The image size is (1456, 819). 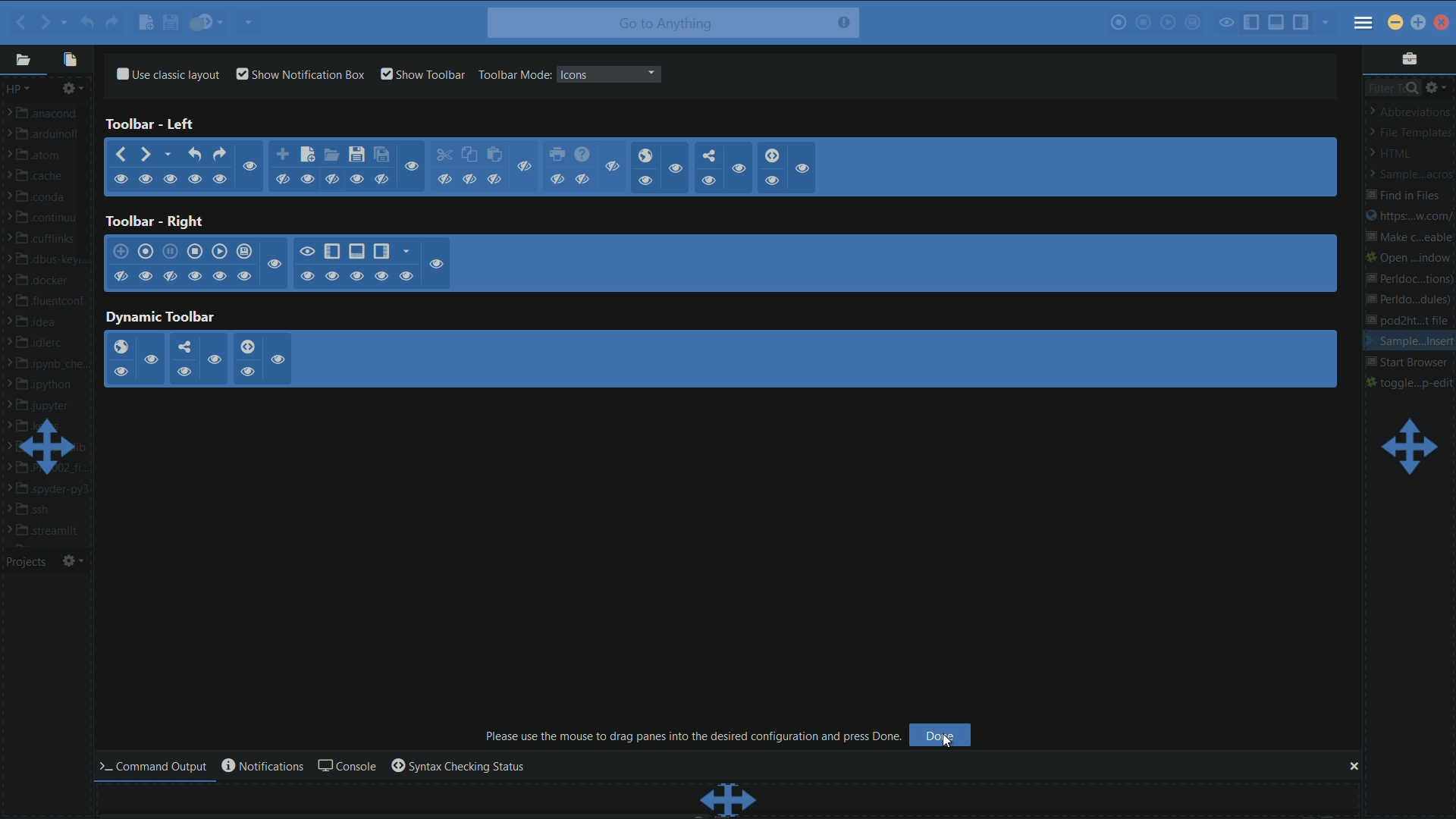 I want to click on html, so click(x=1396, y=154).